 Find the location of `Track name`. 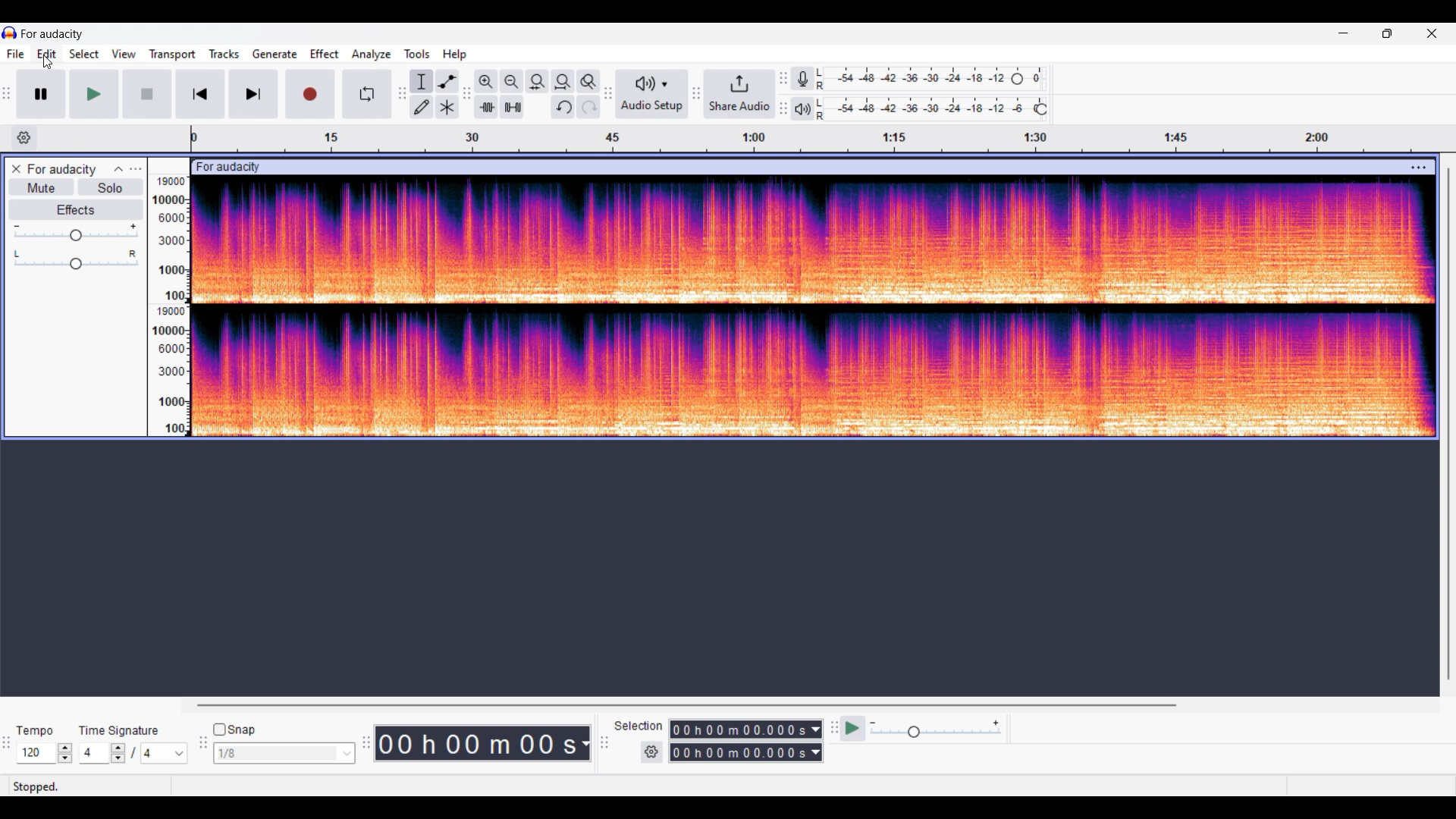

Track name is located at coordinates (62, 169).